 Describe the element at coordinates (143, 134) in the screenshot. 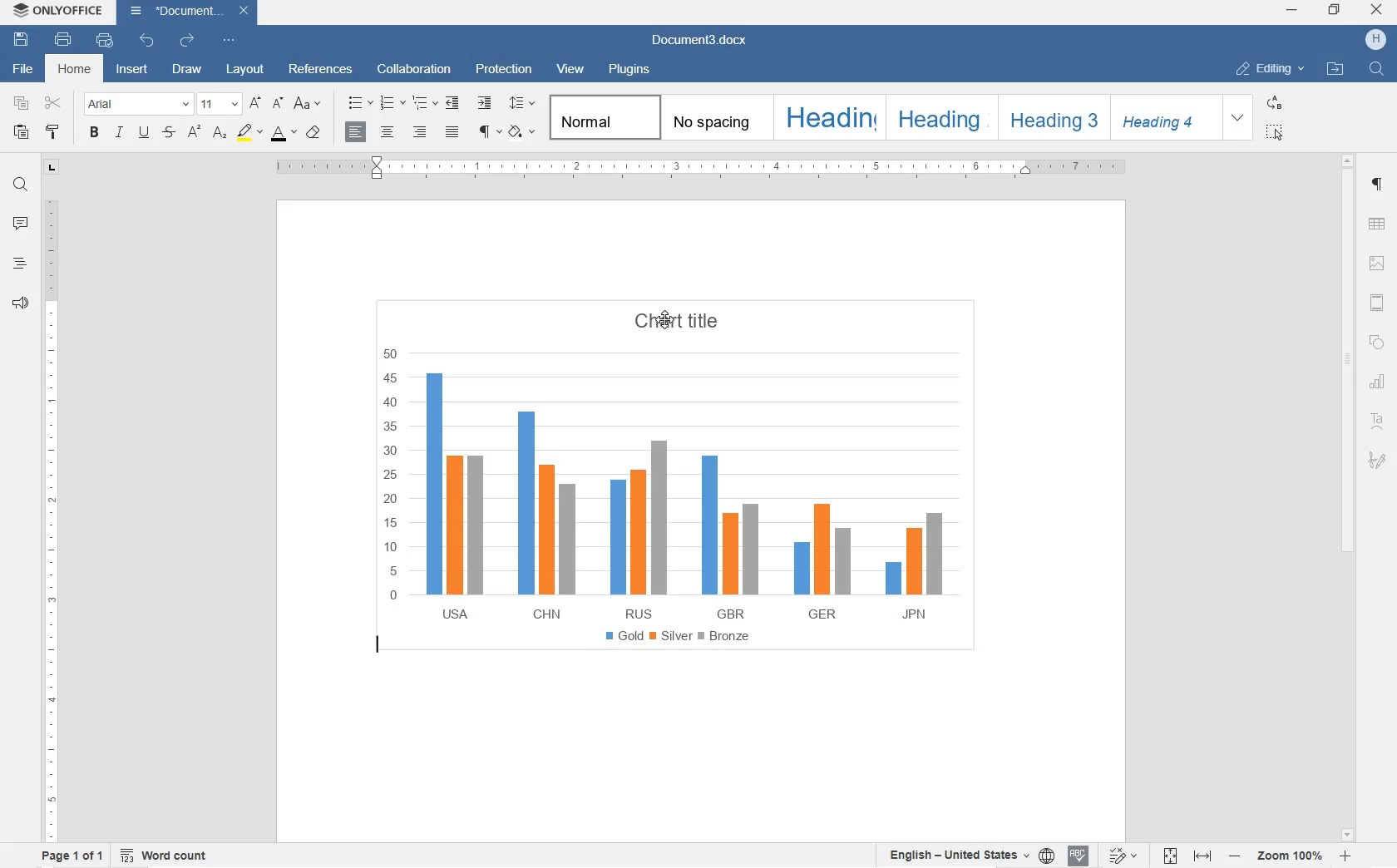

I see `UNDERLINE` at that location.